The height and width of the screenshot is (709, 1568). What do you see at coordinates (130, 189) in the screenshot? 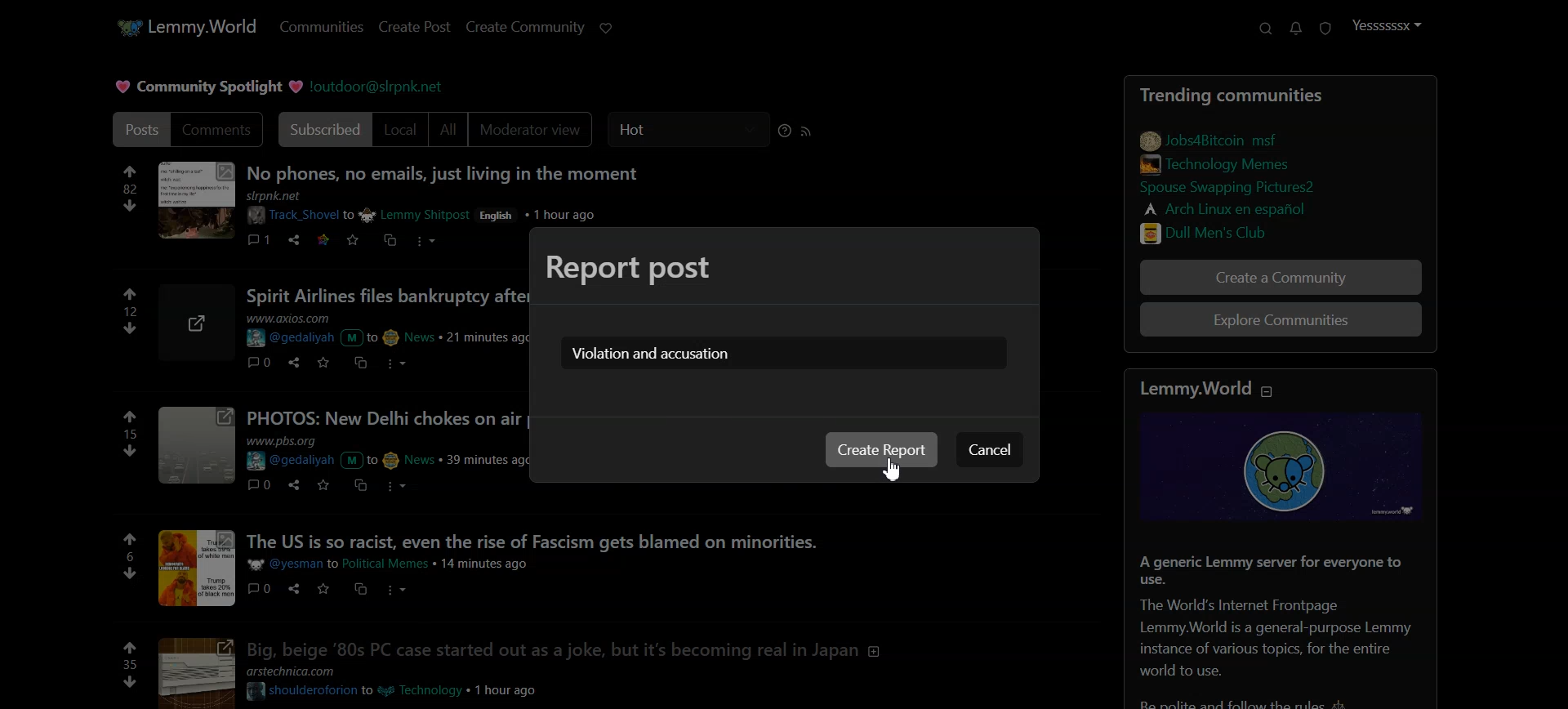
I see `numbers` at bounding box center [130, 189].